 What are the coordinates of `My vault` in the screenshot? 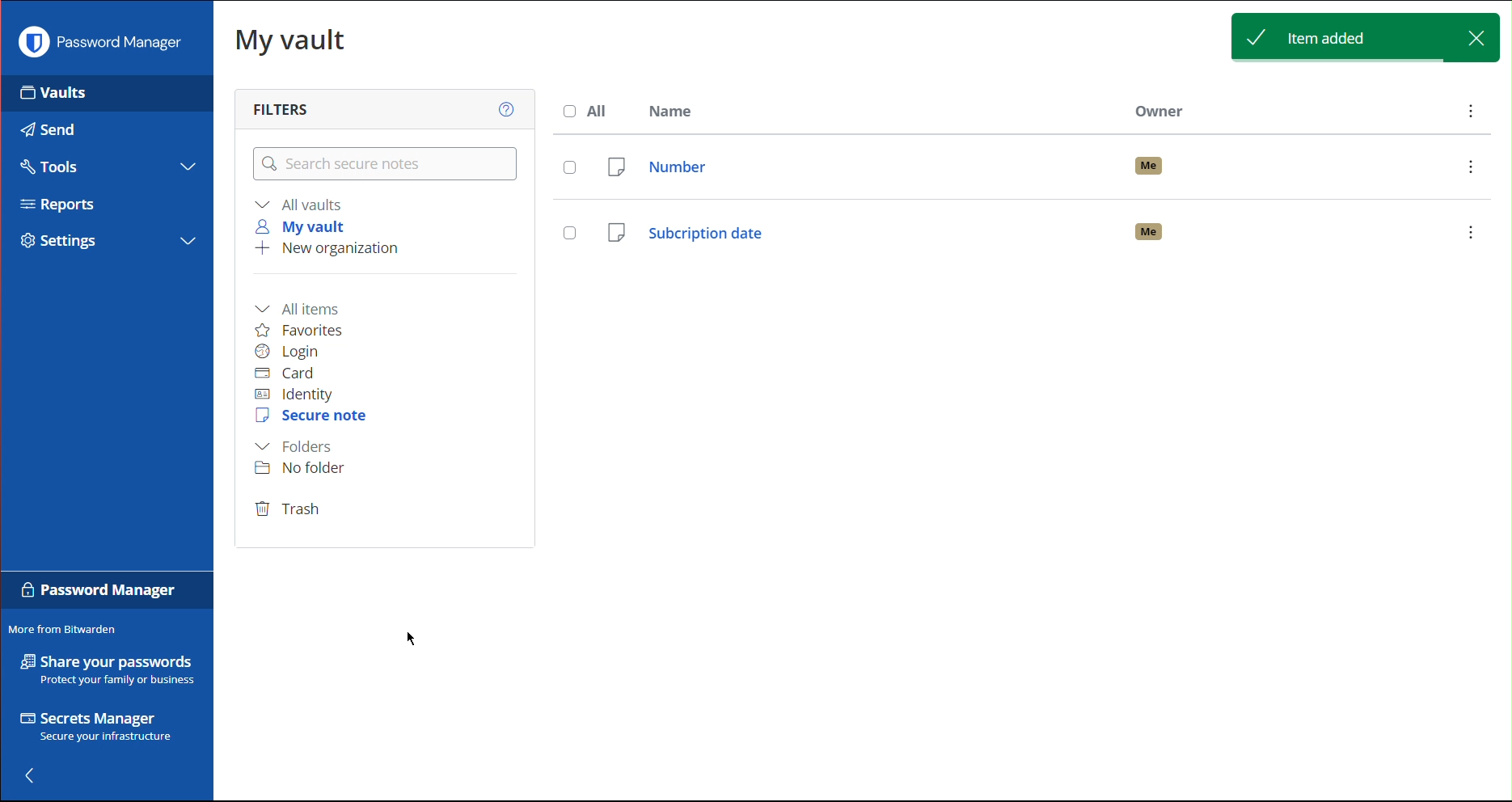 It's located at (305, 226).